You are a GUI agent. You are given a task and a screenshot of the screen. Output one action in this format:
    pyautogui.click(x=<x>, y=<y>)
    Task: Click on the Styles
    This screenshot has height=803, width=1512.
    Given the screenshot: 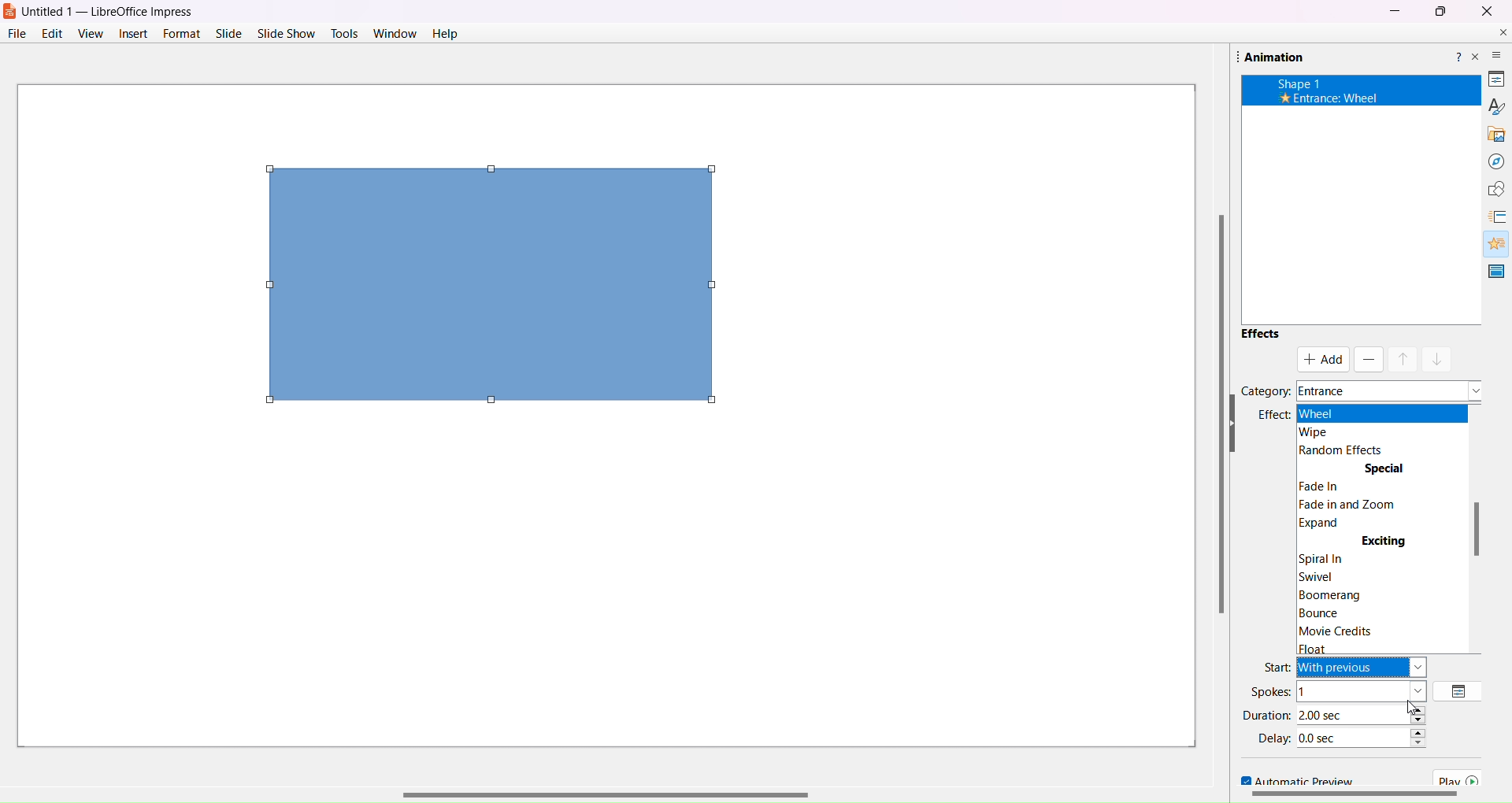 What is the action you would take?
    pyautogui.click(x=1491, y=105)
    